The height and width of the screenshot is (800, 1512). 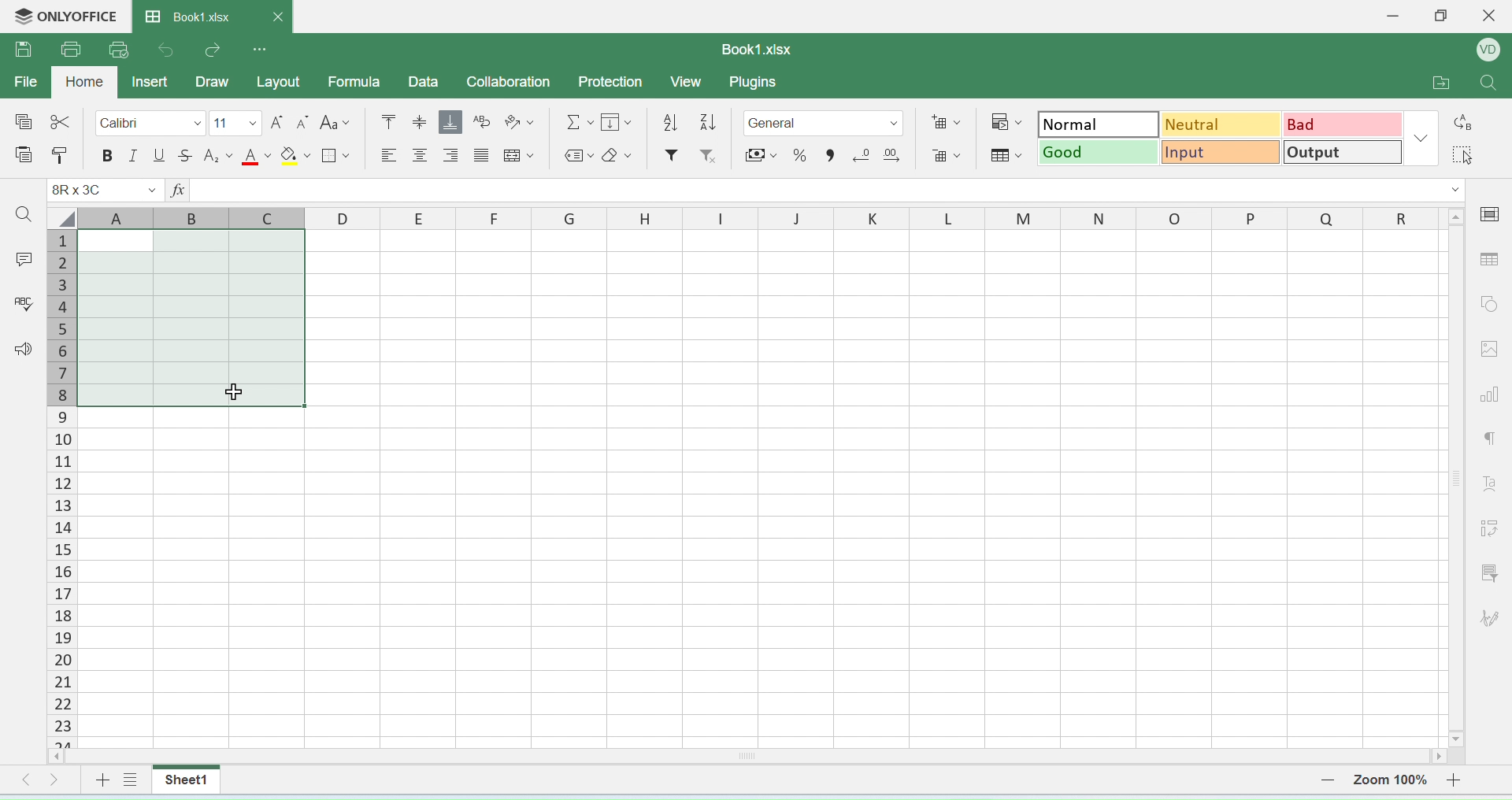 What do you see at coordinates (152, 124) in the screenshot?
I see `calibri` at bounding box center [152, 124].